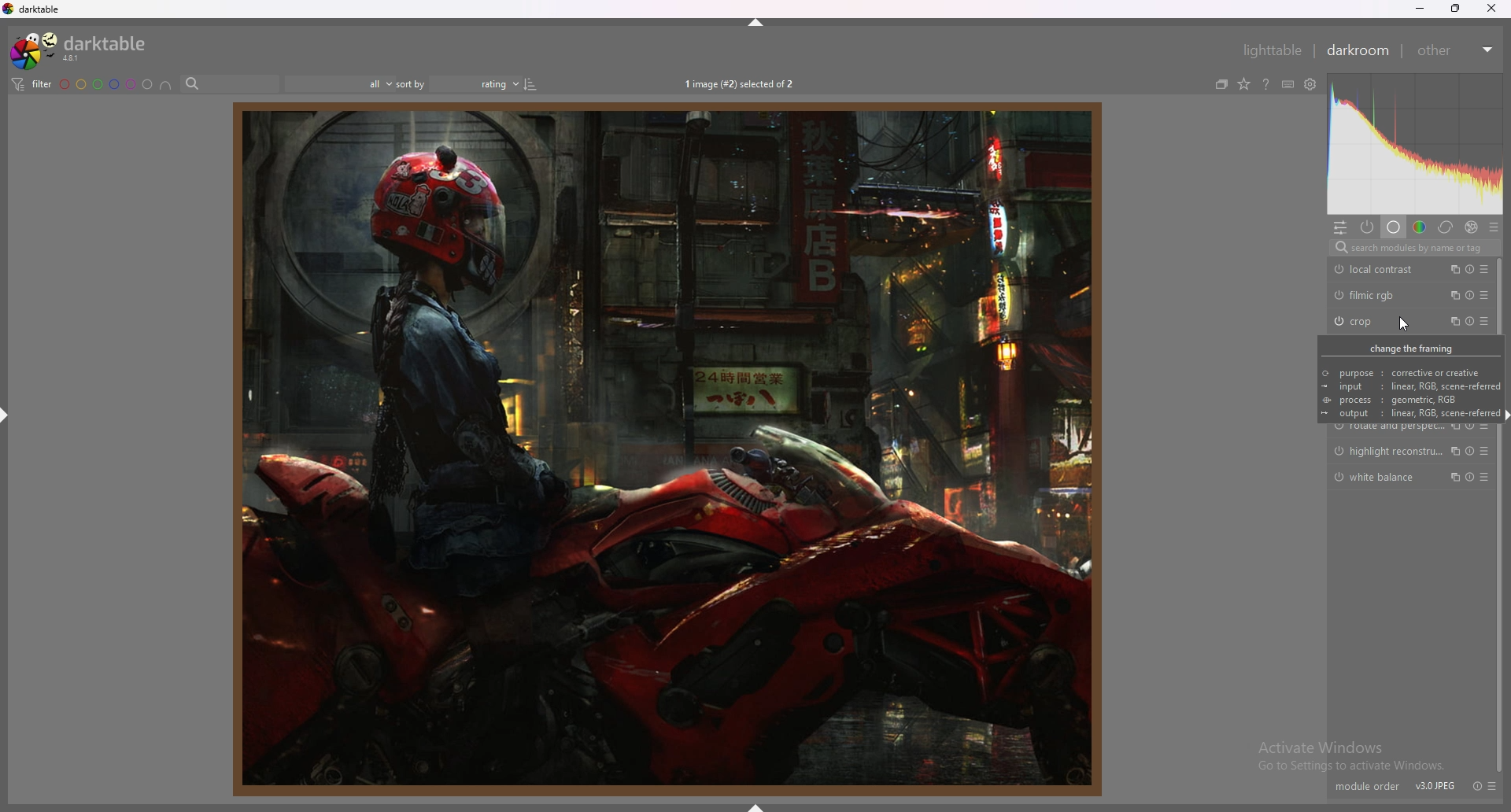 The width and height of the screenshot is (1511, 812). I want to click on multiple instances action, so click(1453, 477).